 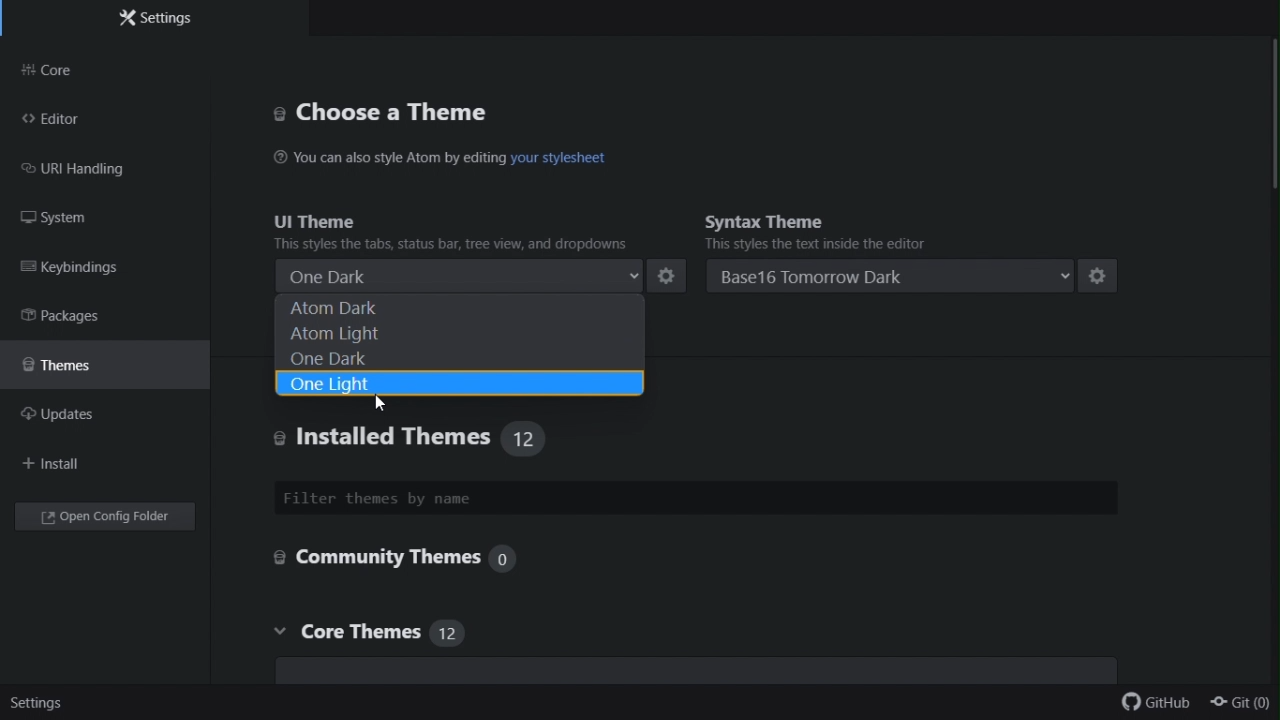 What do you see at coordinates (35, 706) in the screenshot?
I see `settings` at bounding box center [35, 706].